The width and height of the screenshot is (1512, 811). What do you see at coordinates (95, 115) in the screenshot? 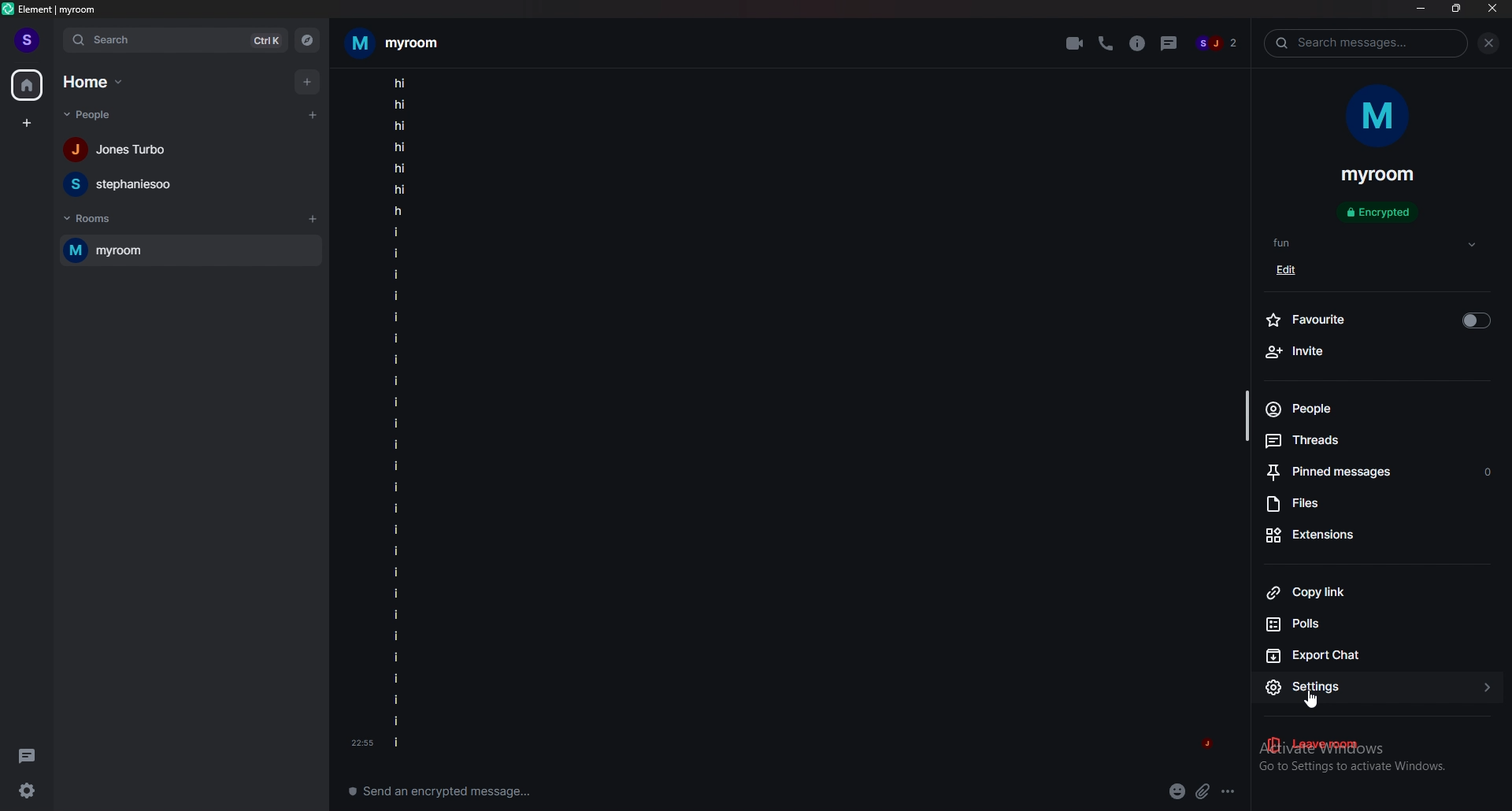
I see `people` at bounding box center [95, 115].